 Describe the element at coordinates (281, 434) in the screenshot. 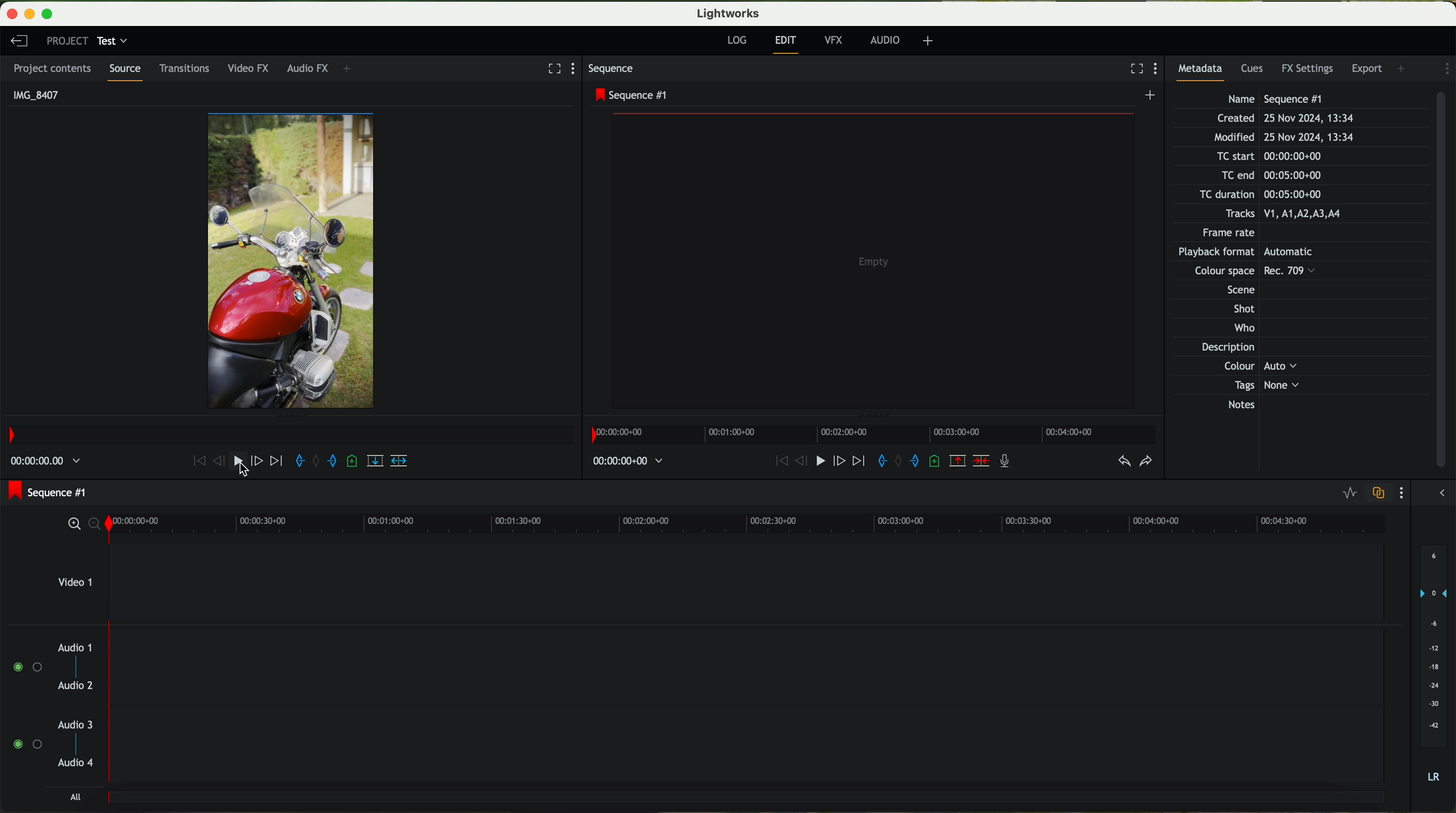

I see `timeline` at that location.